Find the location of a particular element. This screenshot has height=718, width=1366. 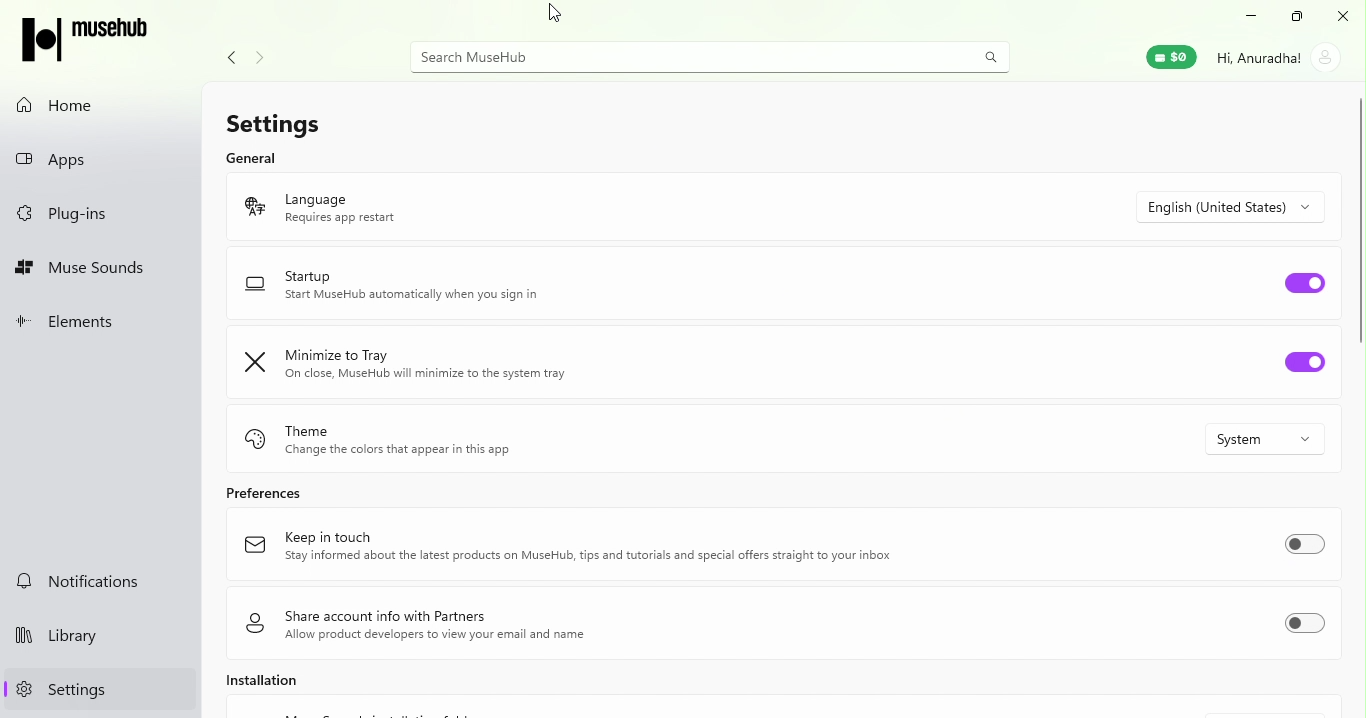

Notifications is located at coordinates (100, 581).